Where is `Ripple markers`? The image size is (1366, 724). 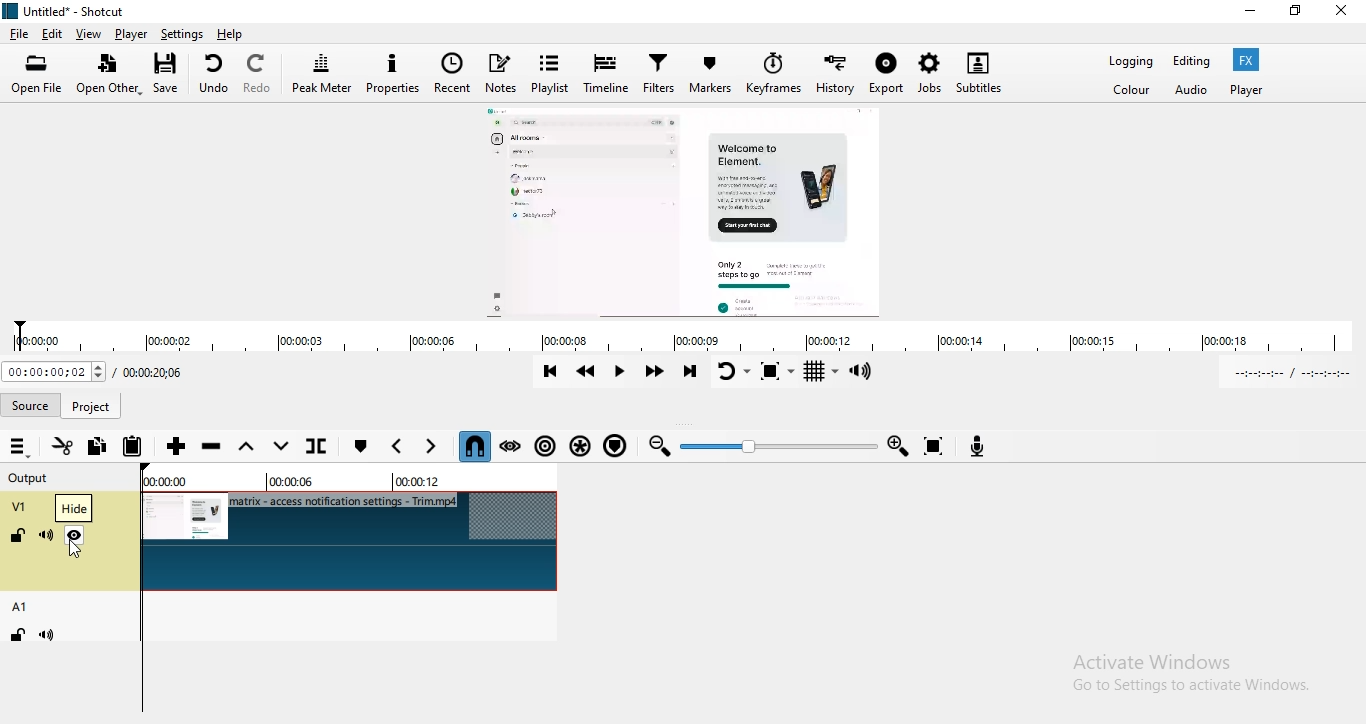
Ripple markers is located at coordinates (617, 448).